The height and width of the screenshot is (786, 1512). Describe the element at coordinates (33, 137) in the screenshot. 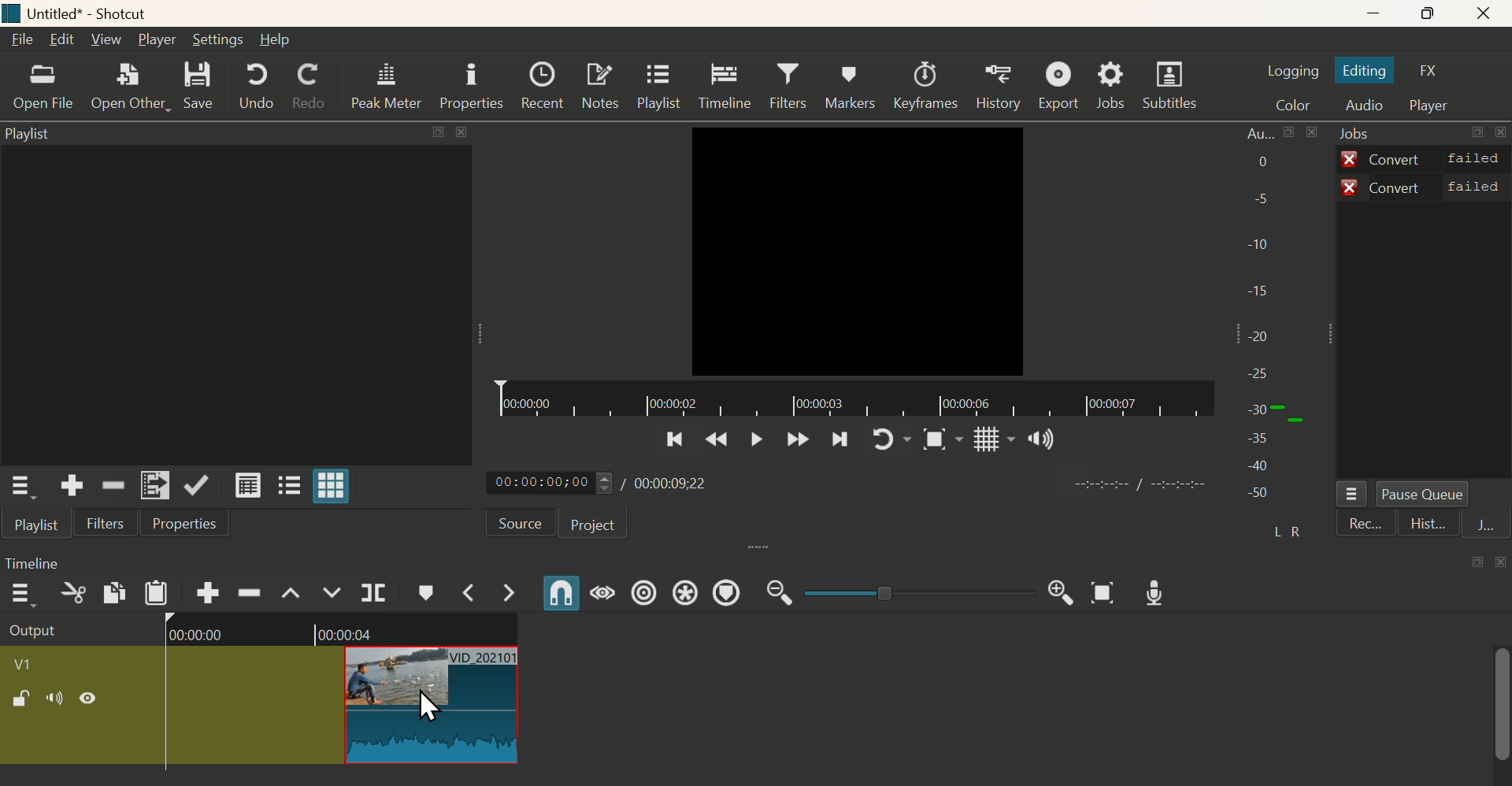

I see `Playlist` at that location.